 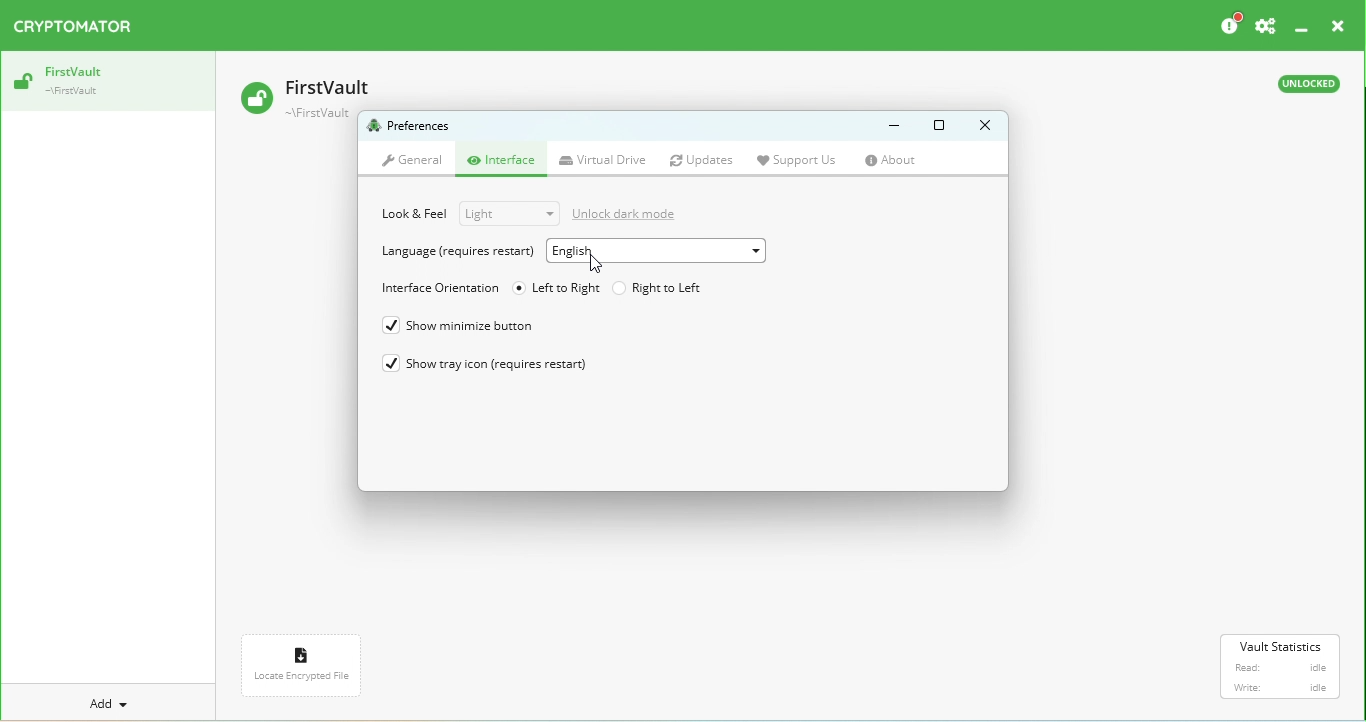 What do you see at coordinates (111, 703) in the screenshot?
I see `Add a new vault` at bounding box center [111, 703].